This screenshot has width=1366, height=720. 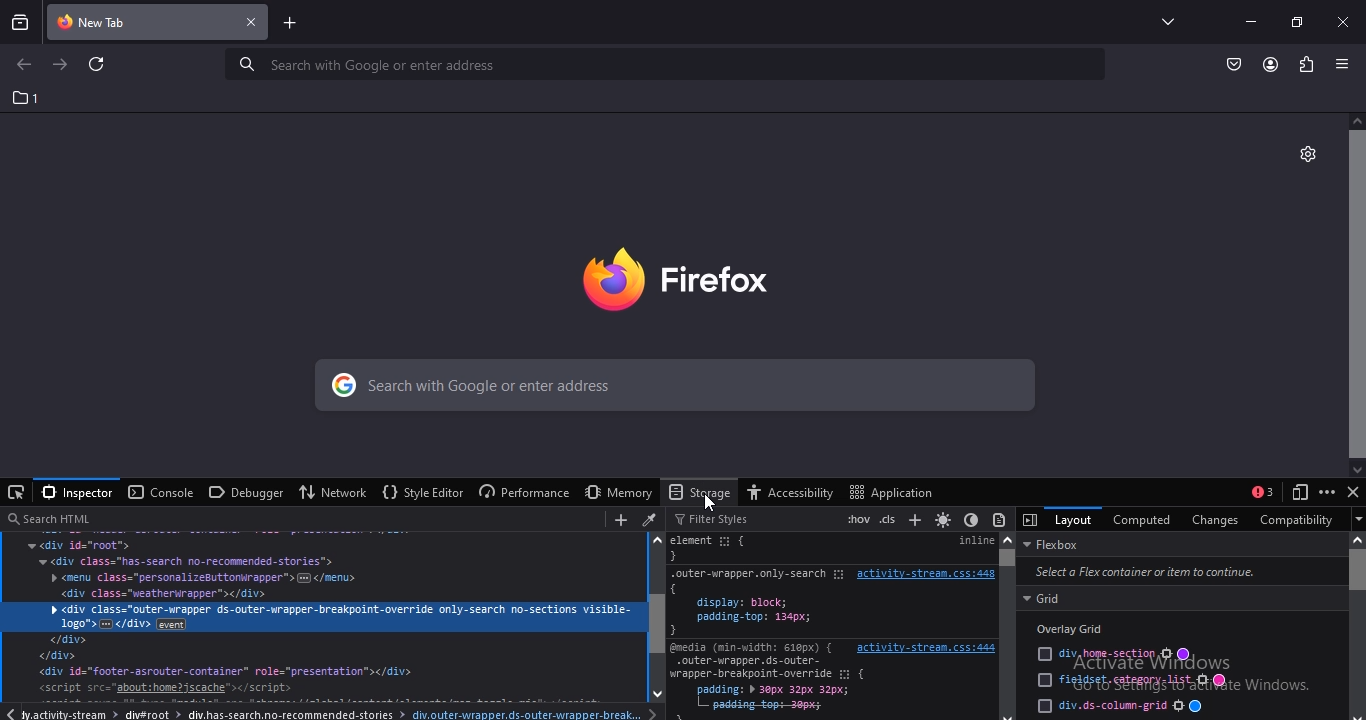 I want to click on scroll bar, so click(x=1359, y=625).